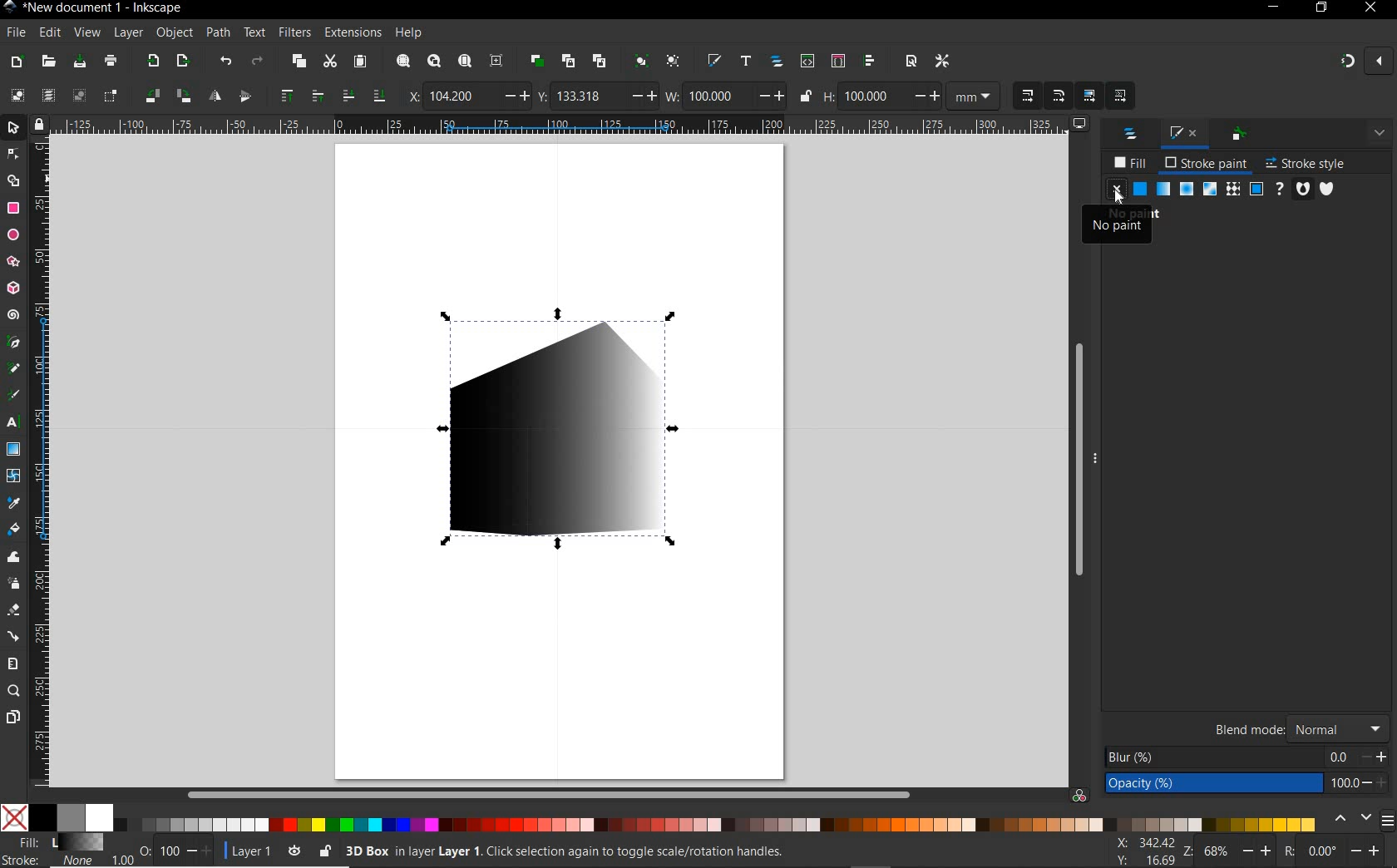 This screenshot has width=1397, height=868. I want to click on RULER, so click(560, 125).